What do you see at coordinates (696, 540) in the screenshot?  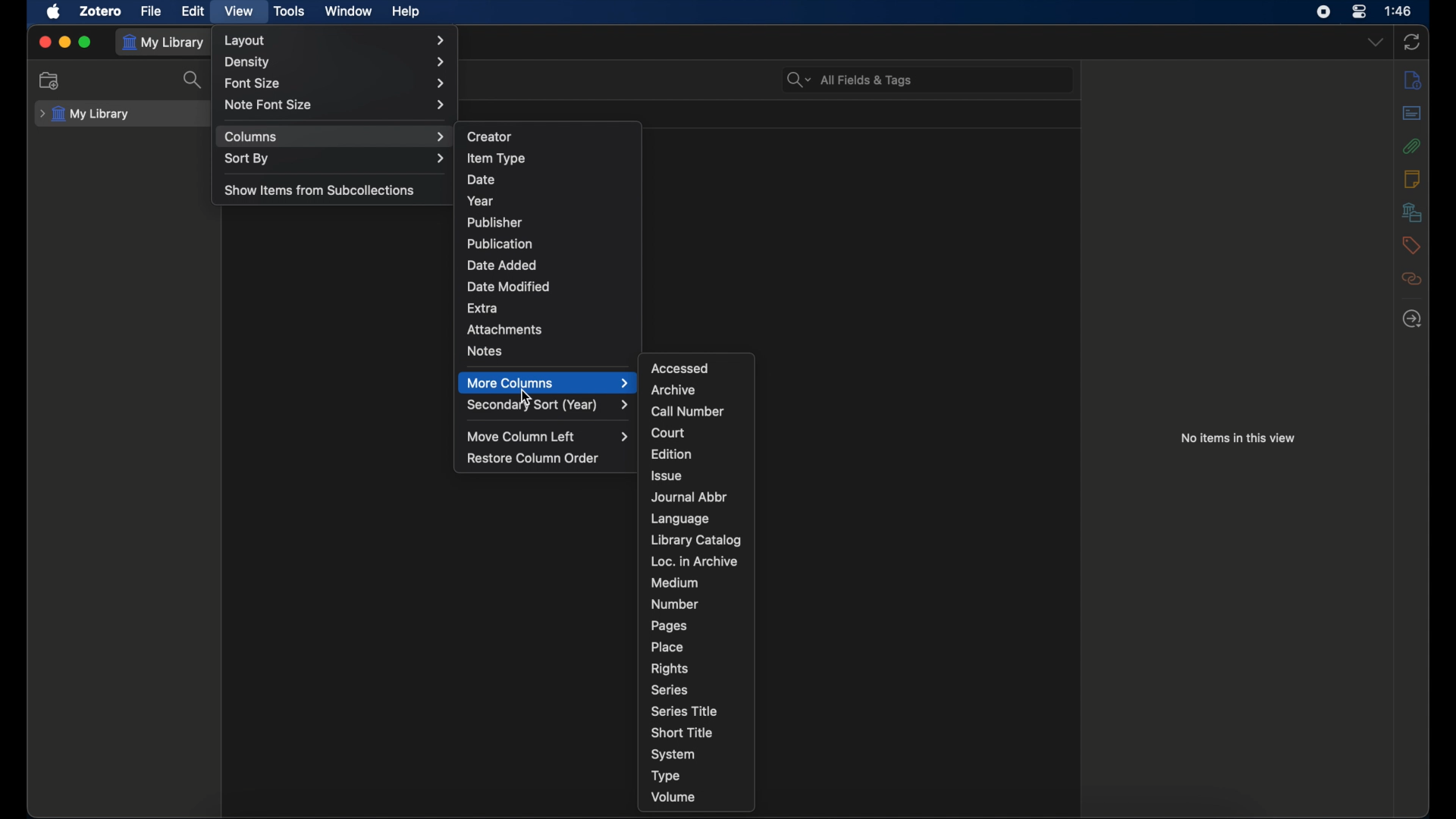 I see `library catalog` at bounding box center [696, 540].